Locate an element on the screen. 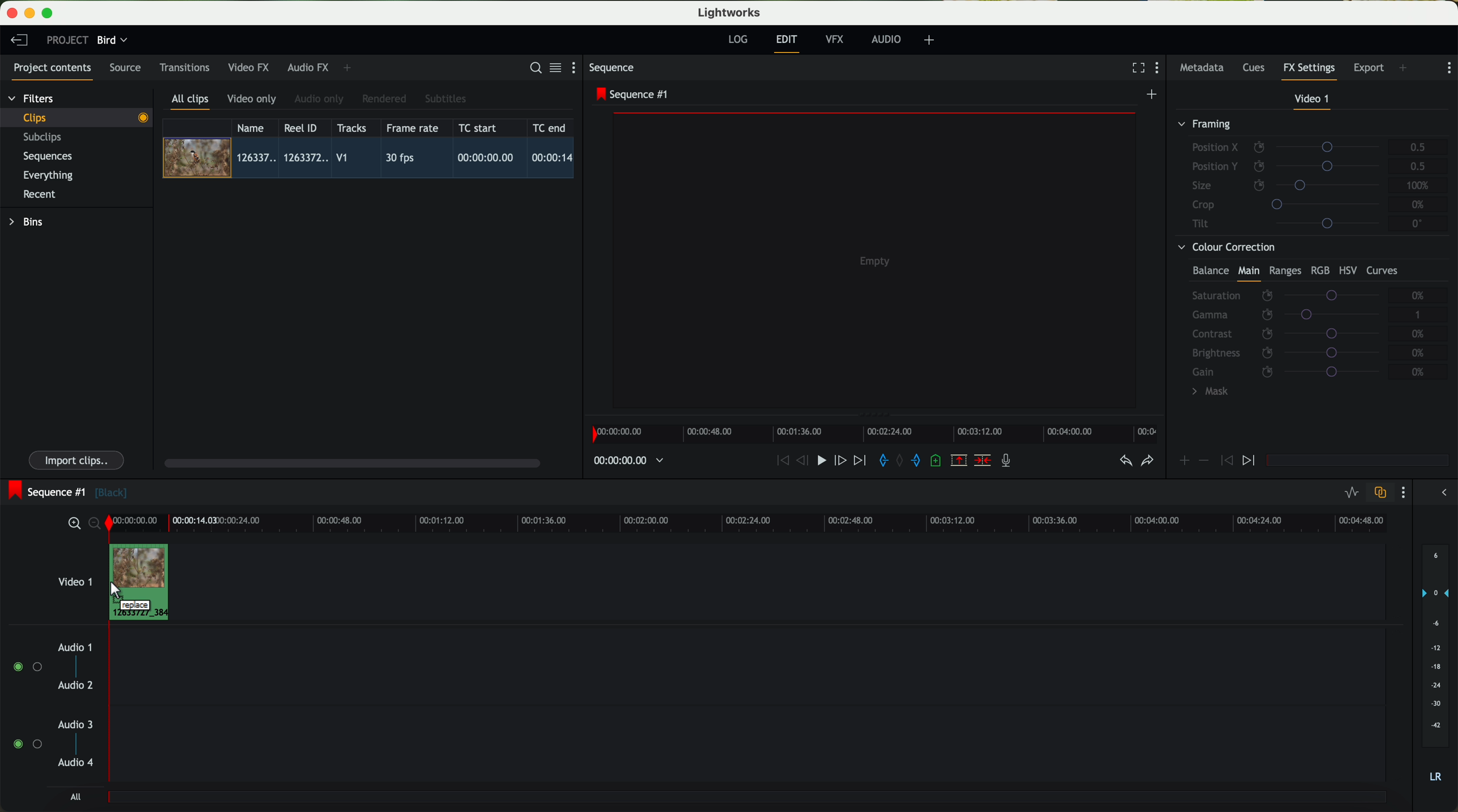 Image resolution: width=1458 pixels, height=812 pixels. show settings menu is located at coordinates (1160, 69).